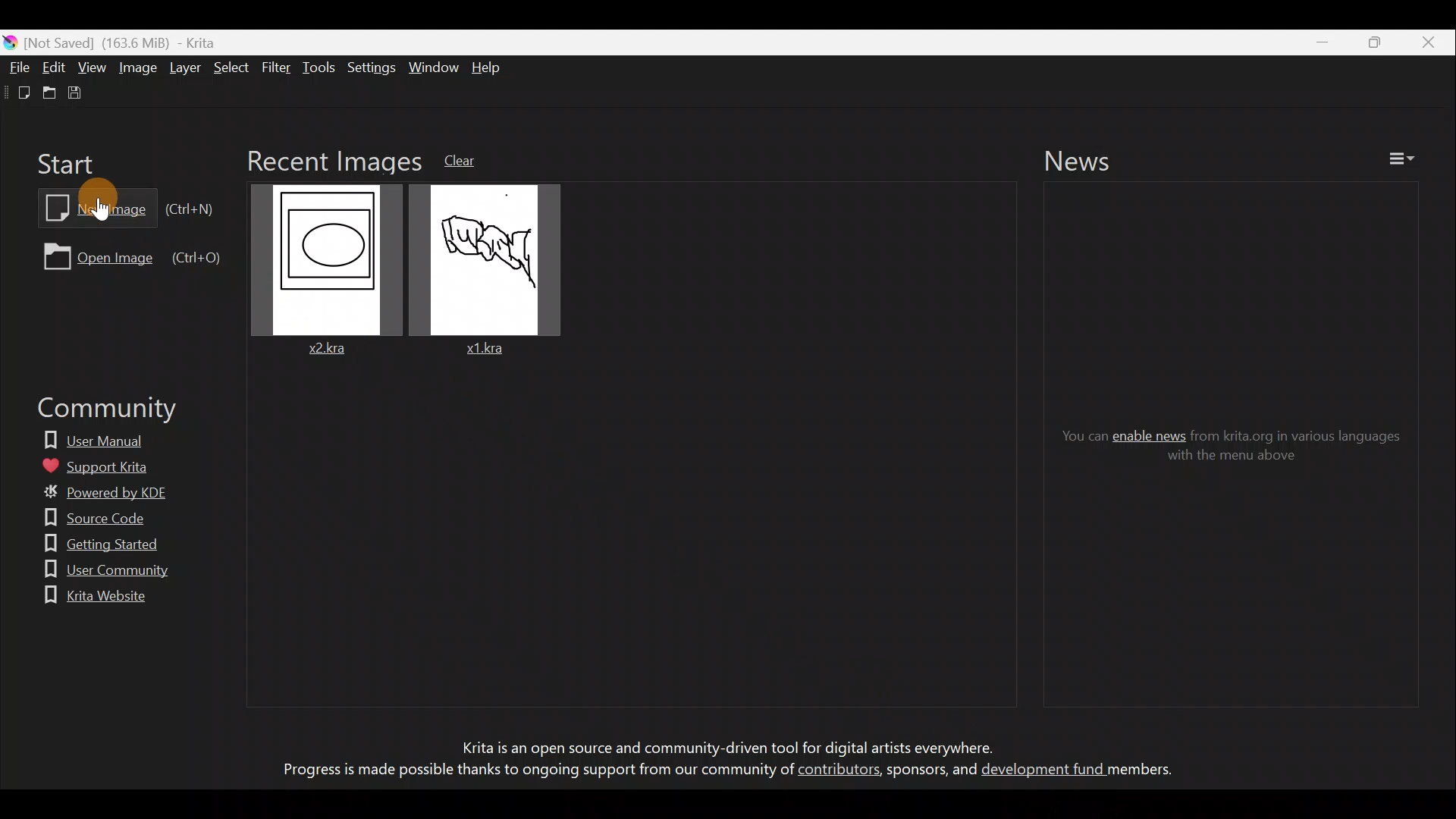  I want to click on Layer, so click(187, 71).